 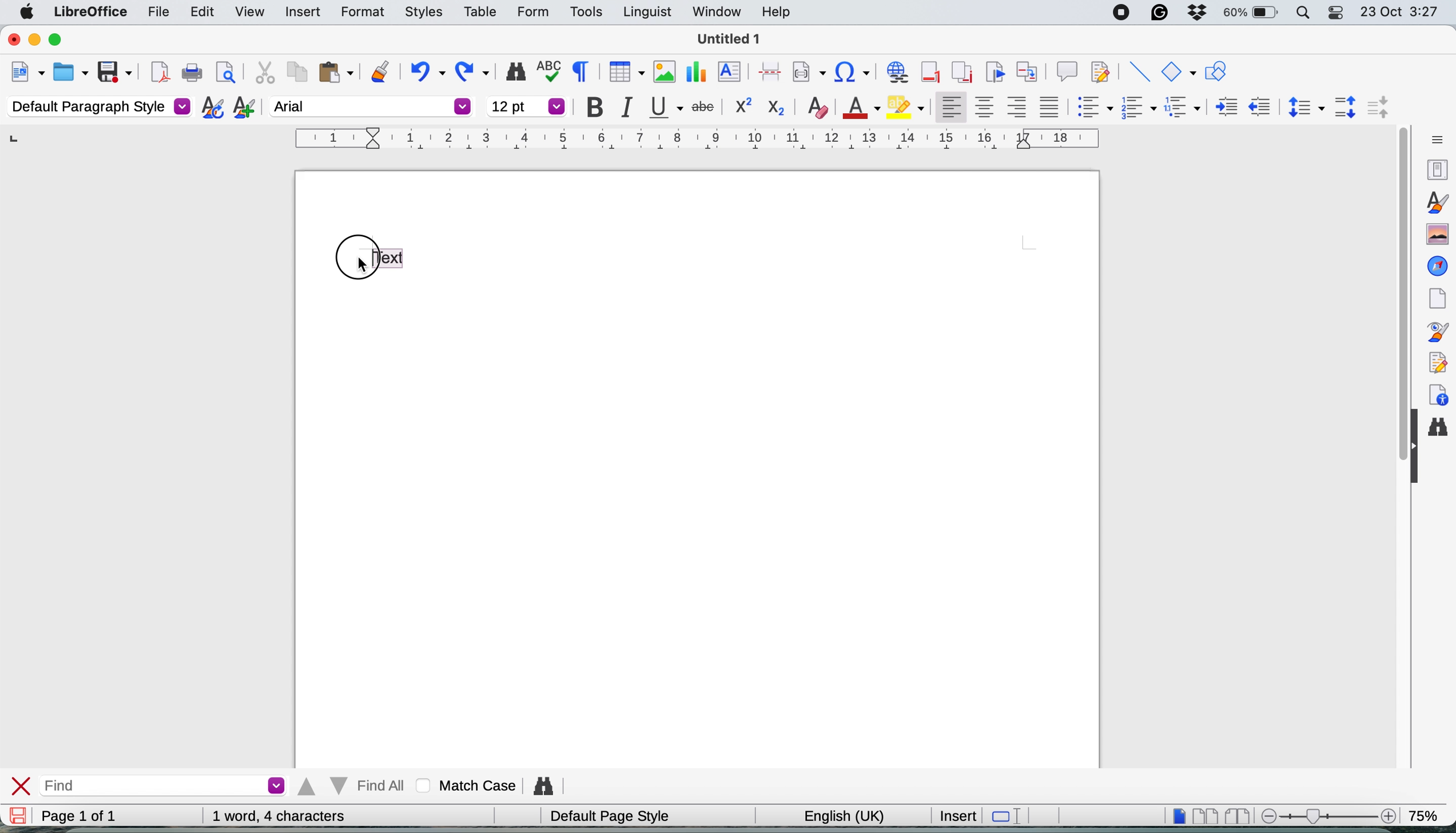 What do you see at coordinates (62, 41) in the screenshot?
I see `maximise` at bounding box center [62, 41].